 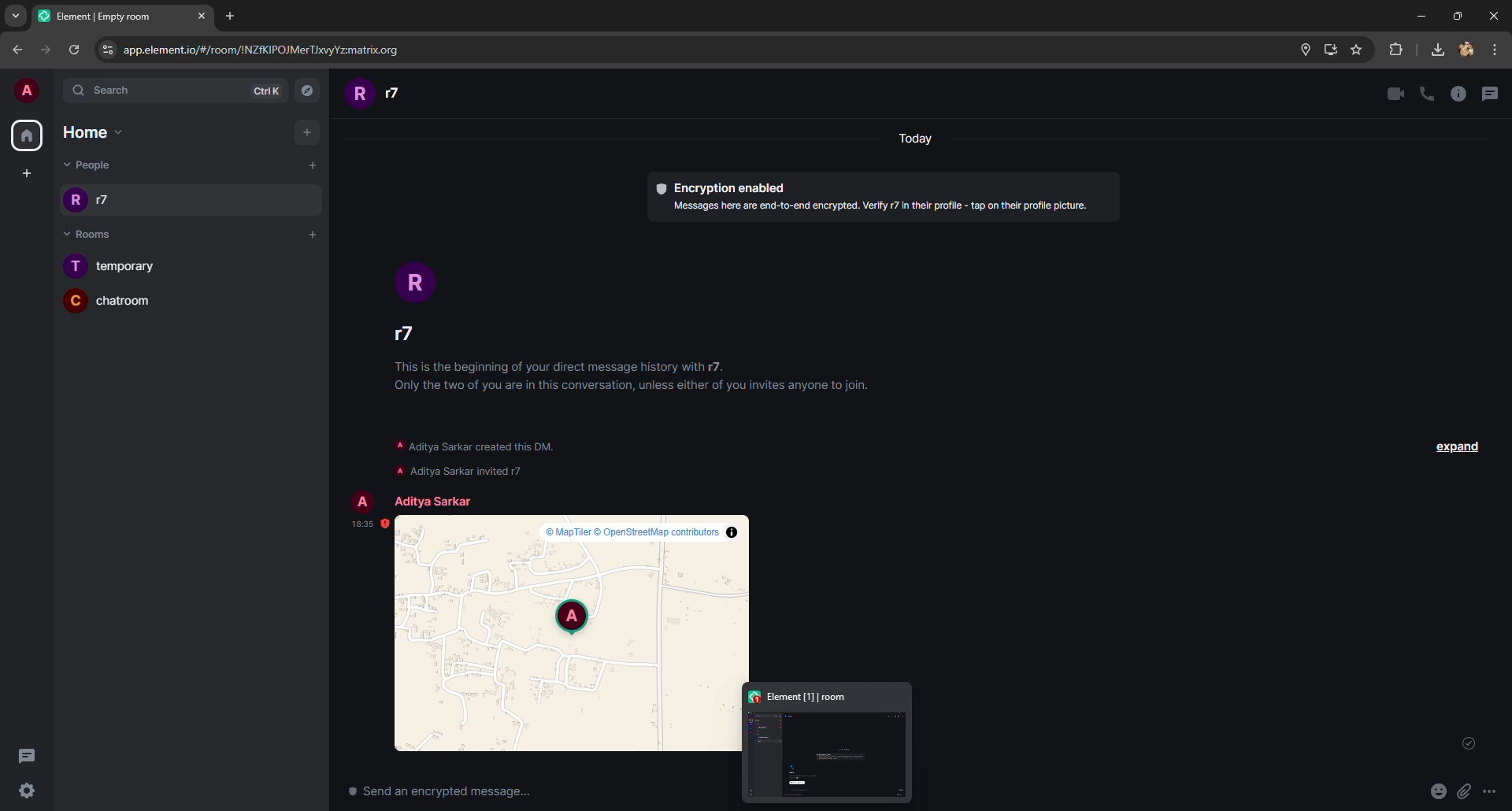 I want to click on go back, so click(x=20, y=51).